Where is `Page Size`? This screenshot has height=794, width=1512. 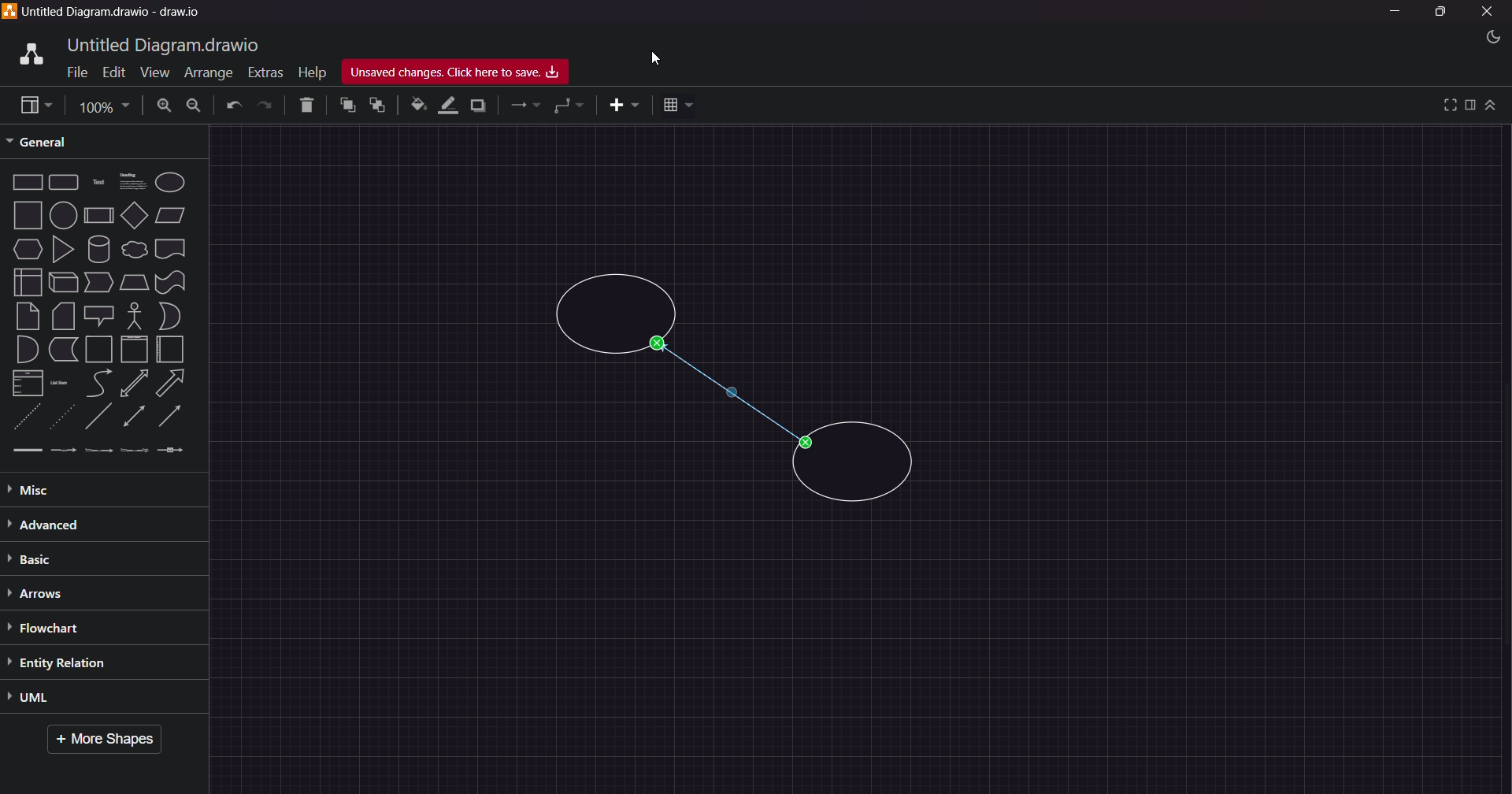
Page Size is located at coordinates (102, 105).